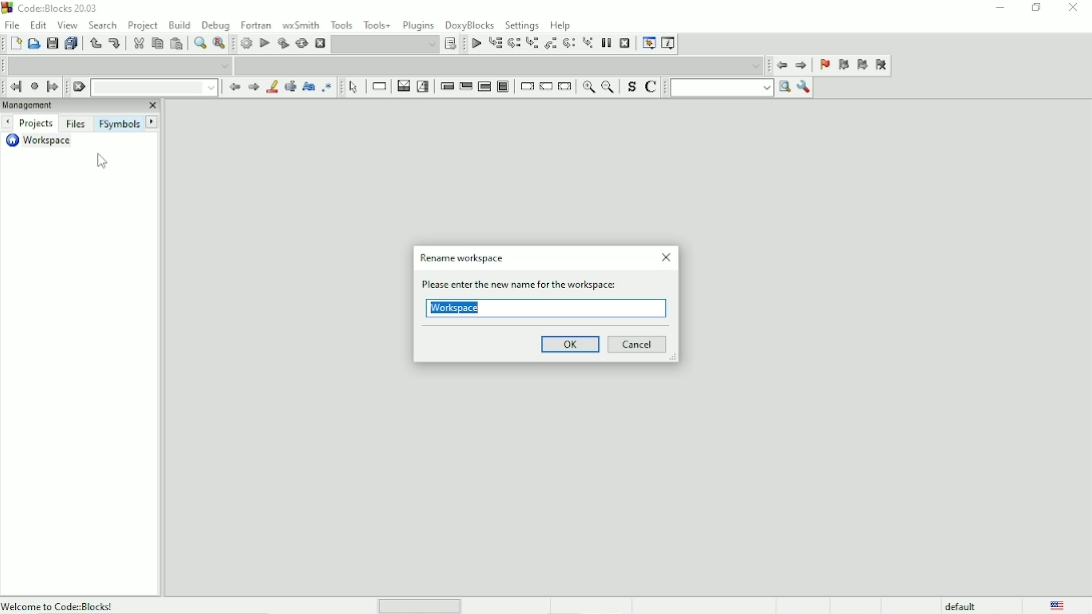 The width and height of the screenshot is (1092, 614). Describe the element at coordinates (104, 160) in the screenshot. I see `Cursor` at that location.